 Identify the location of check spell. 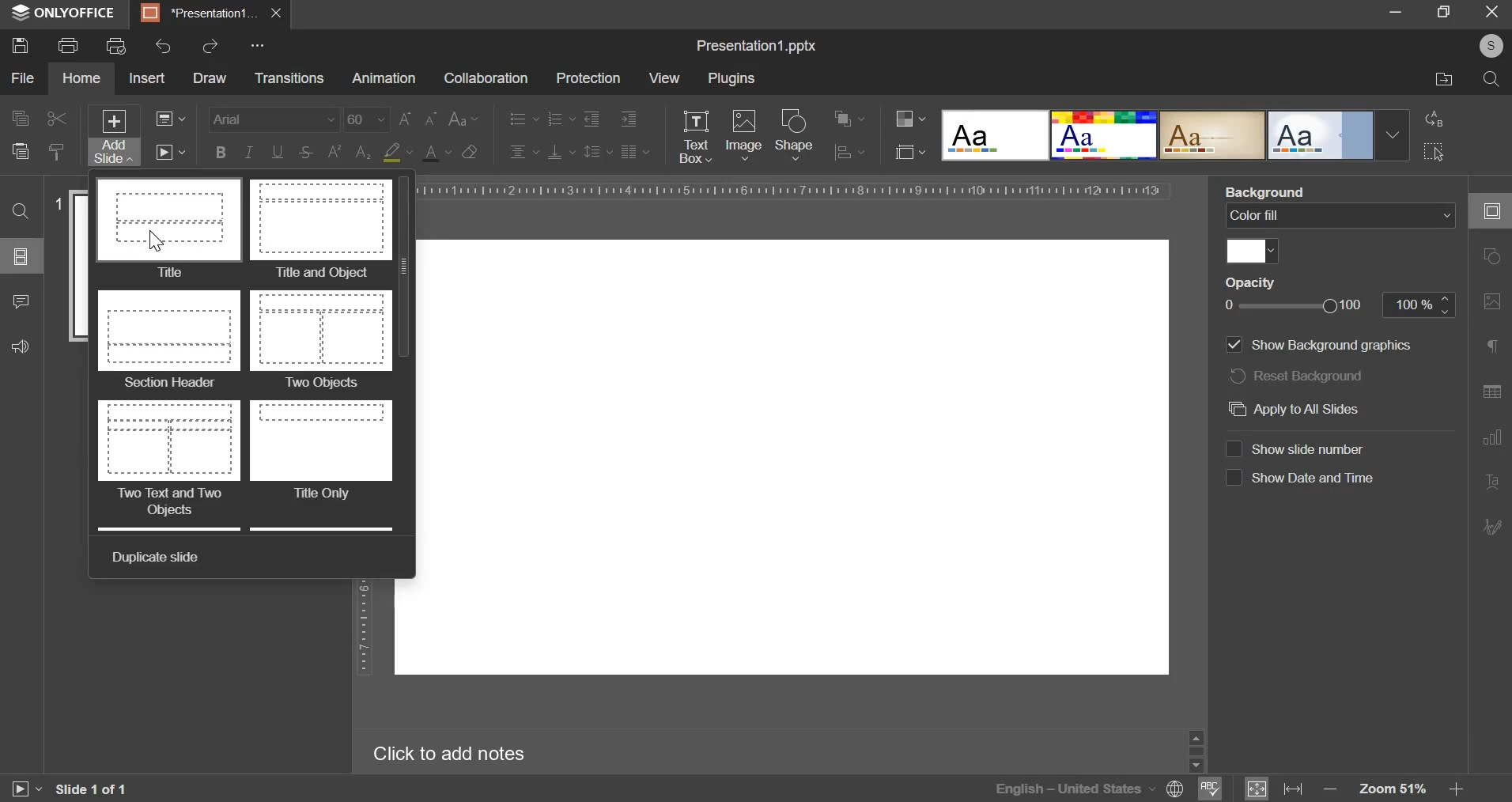
(1208, 789).